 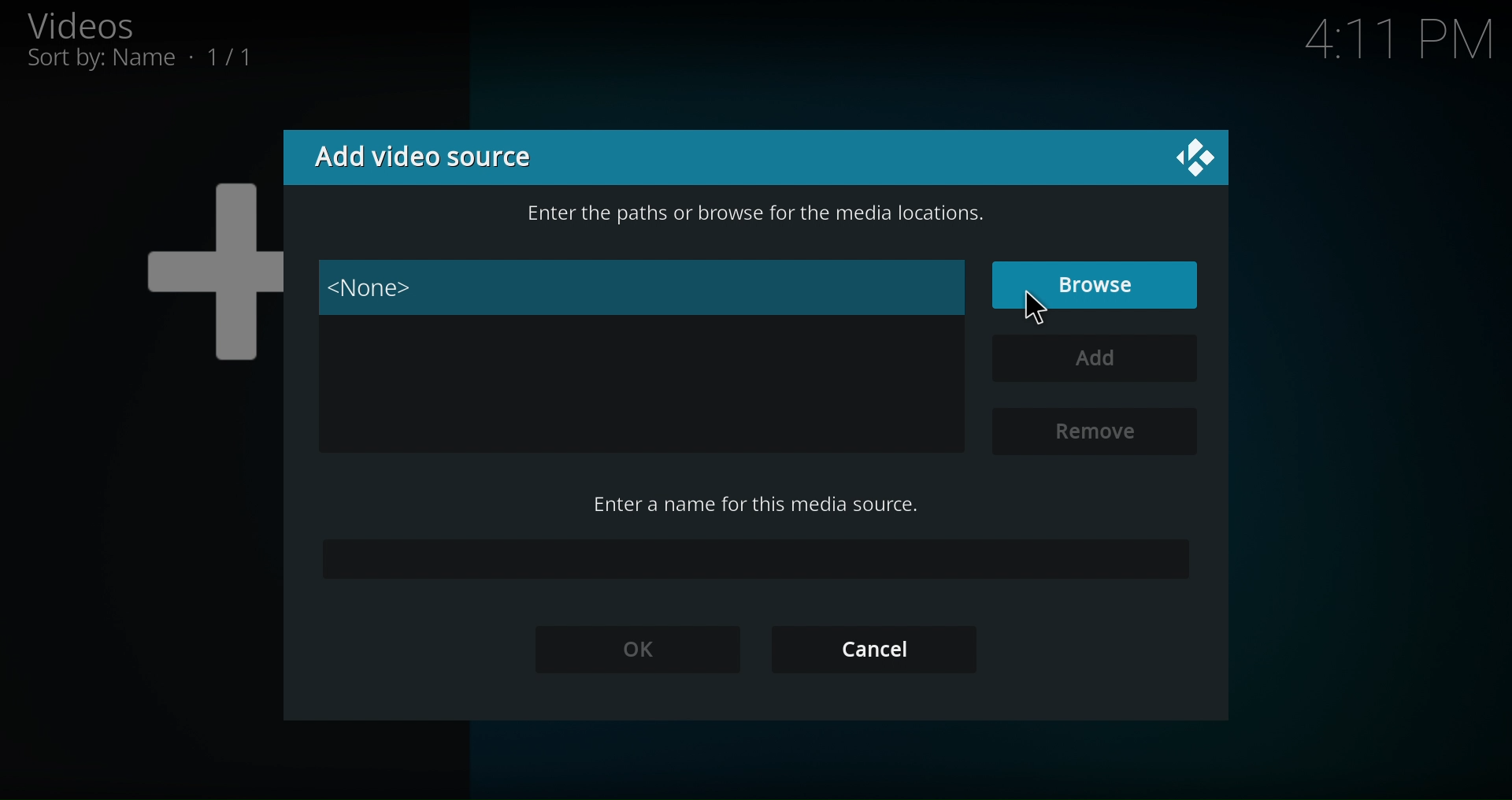 I want to click on Add video source, so click(x=421, y=155).